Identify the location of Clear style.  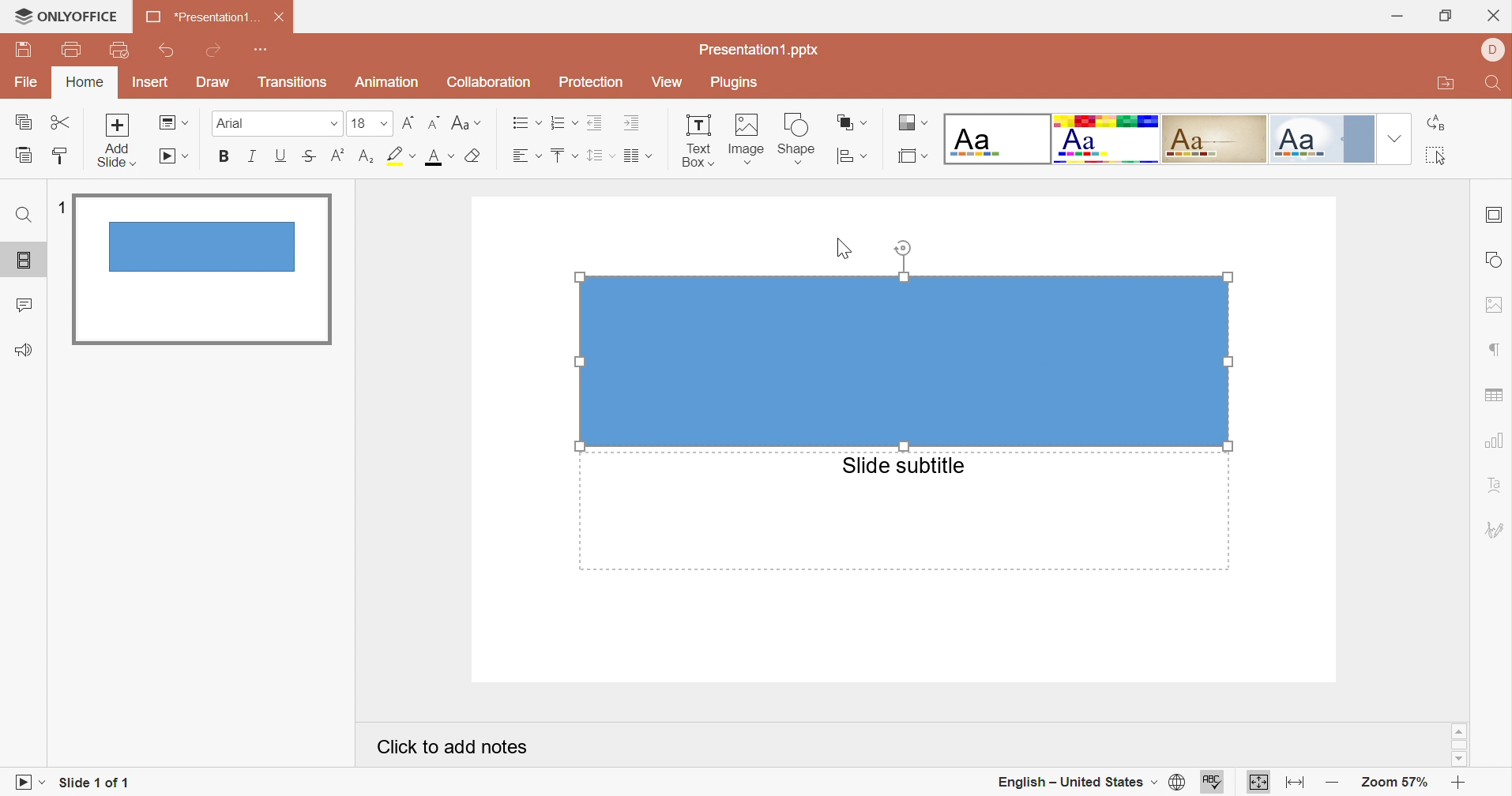
(476, 157).